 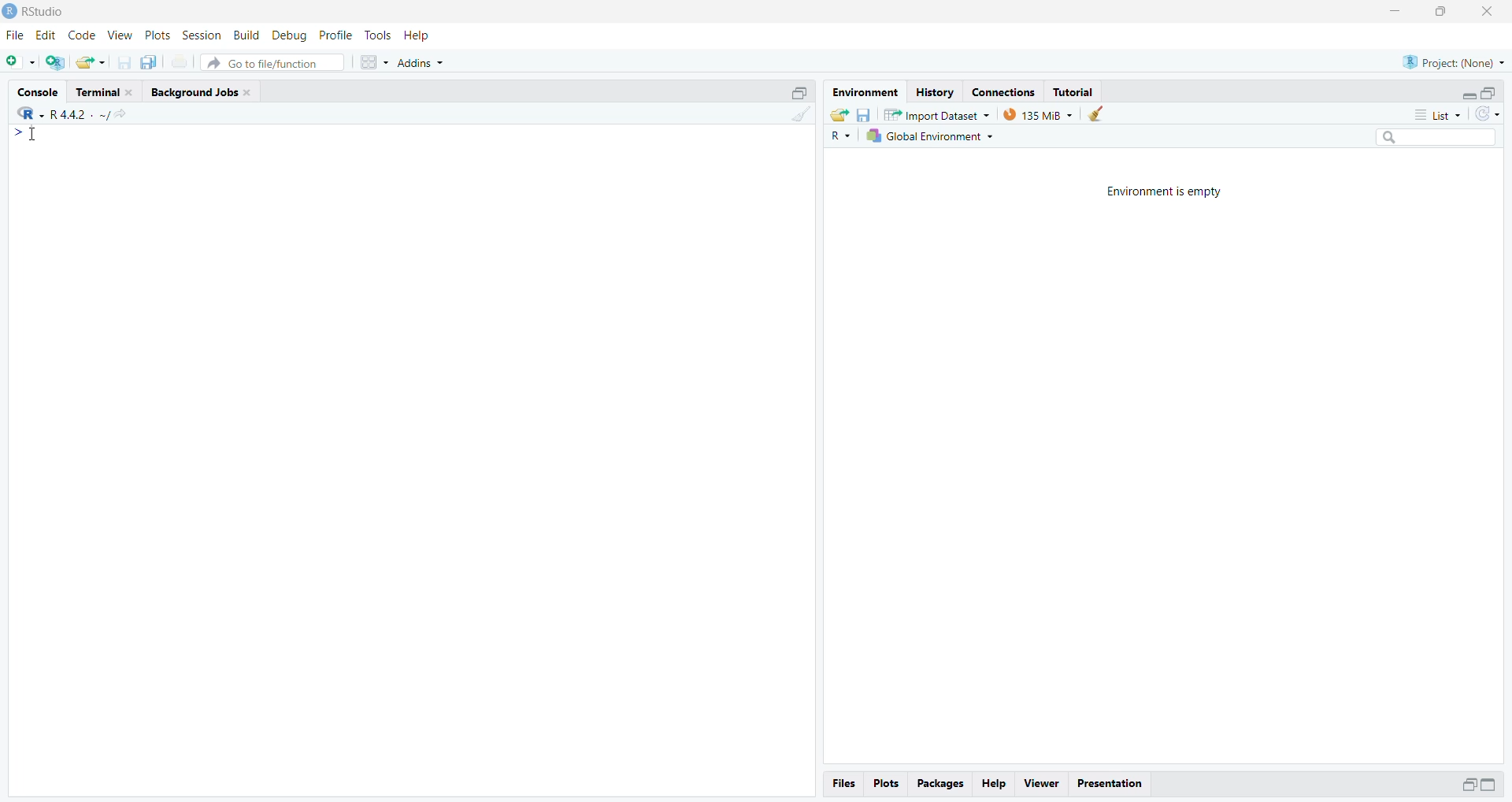 What do you see at coordinates (941, 785) in the screenshot?
I see `Packages` at bounding box center [941, 785].